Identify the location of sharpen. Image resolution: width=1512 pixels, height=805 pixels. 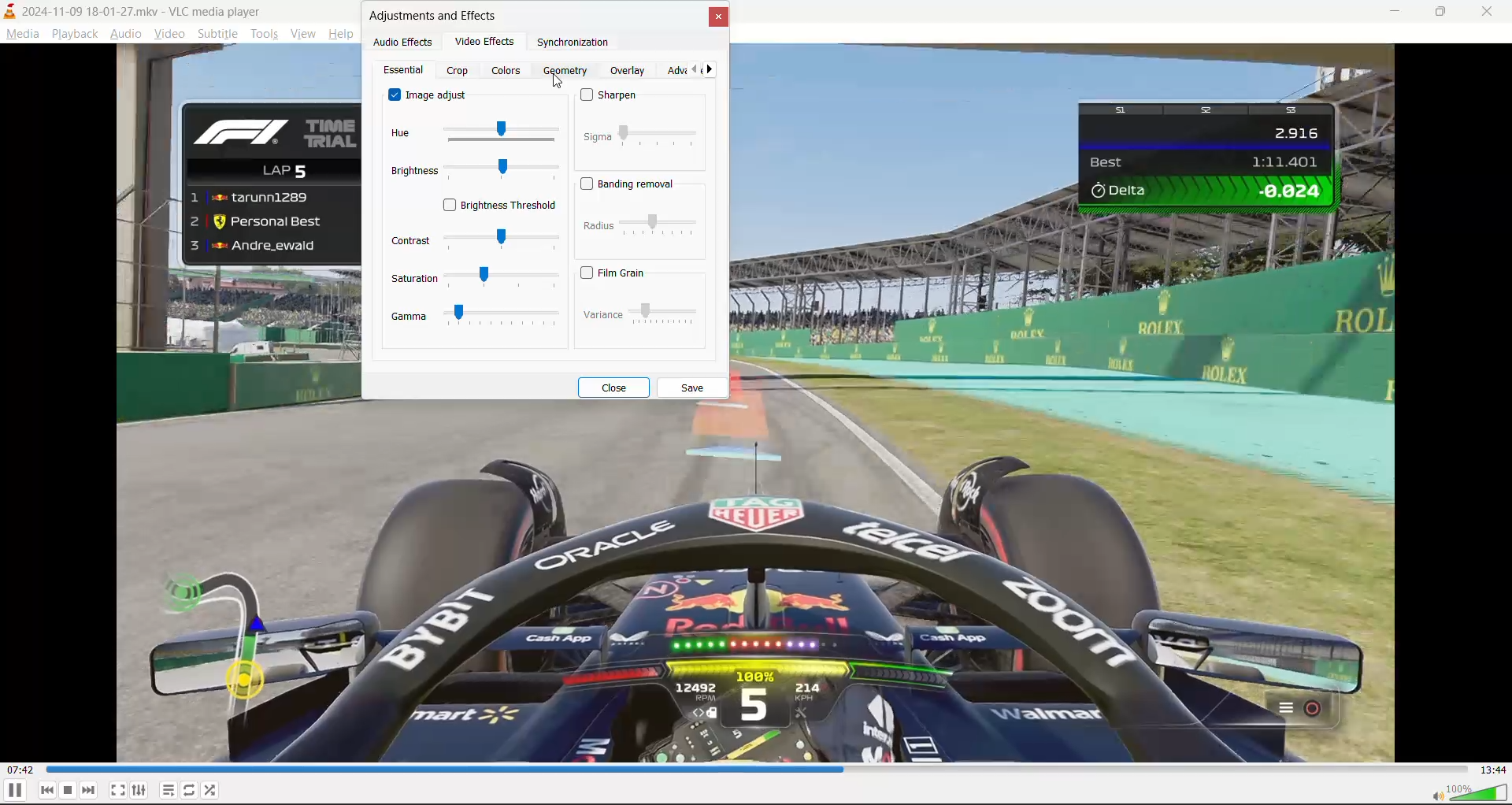
(617, 98).